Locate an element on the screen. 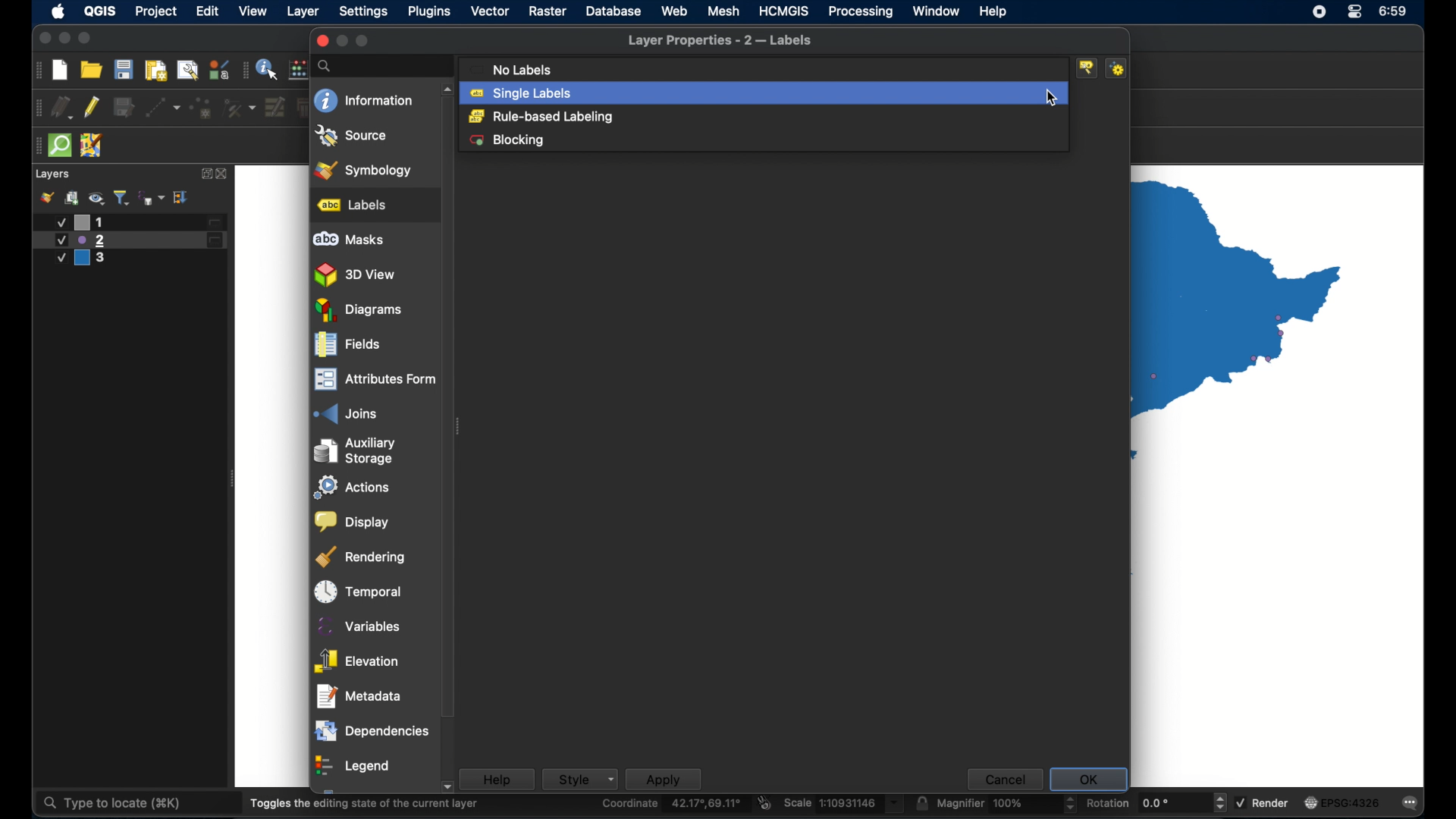 This screenshot has width=1456, height=819. help is located at coordinates (497, 779).